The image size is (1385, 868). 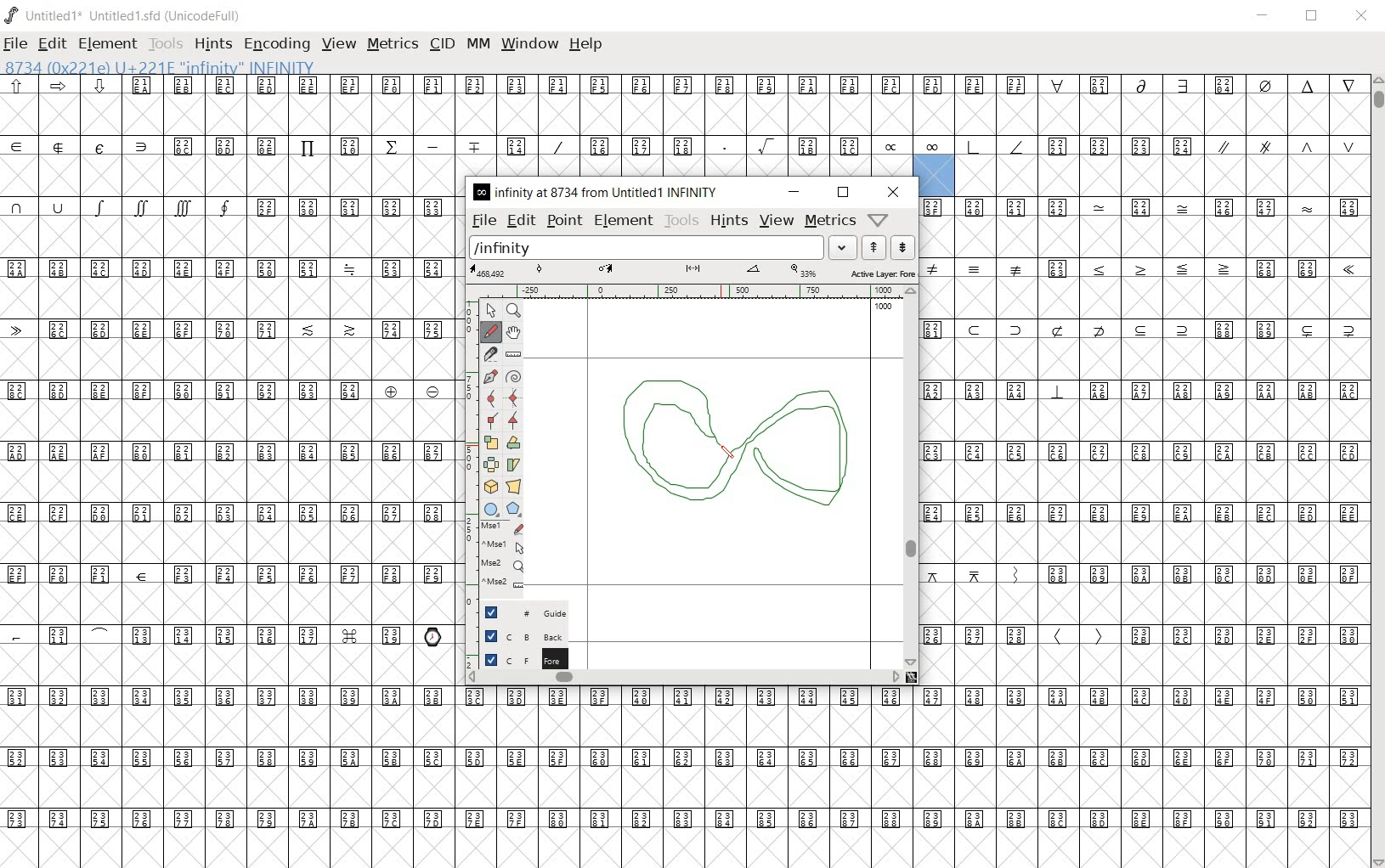 I want to click on encoding, so click(x=277, y=44).